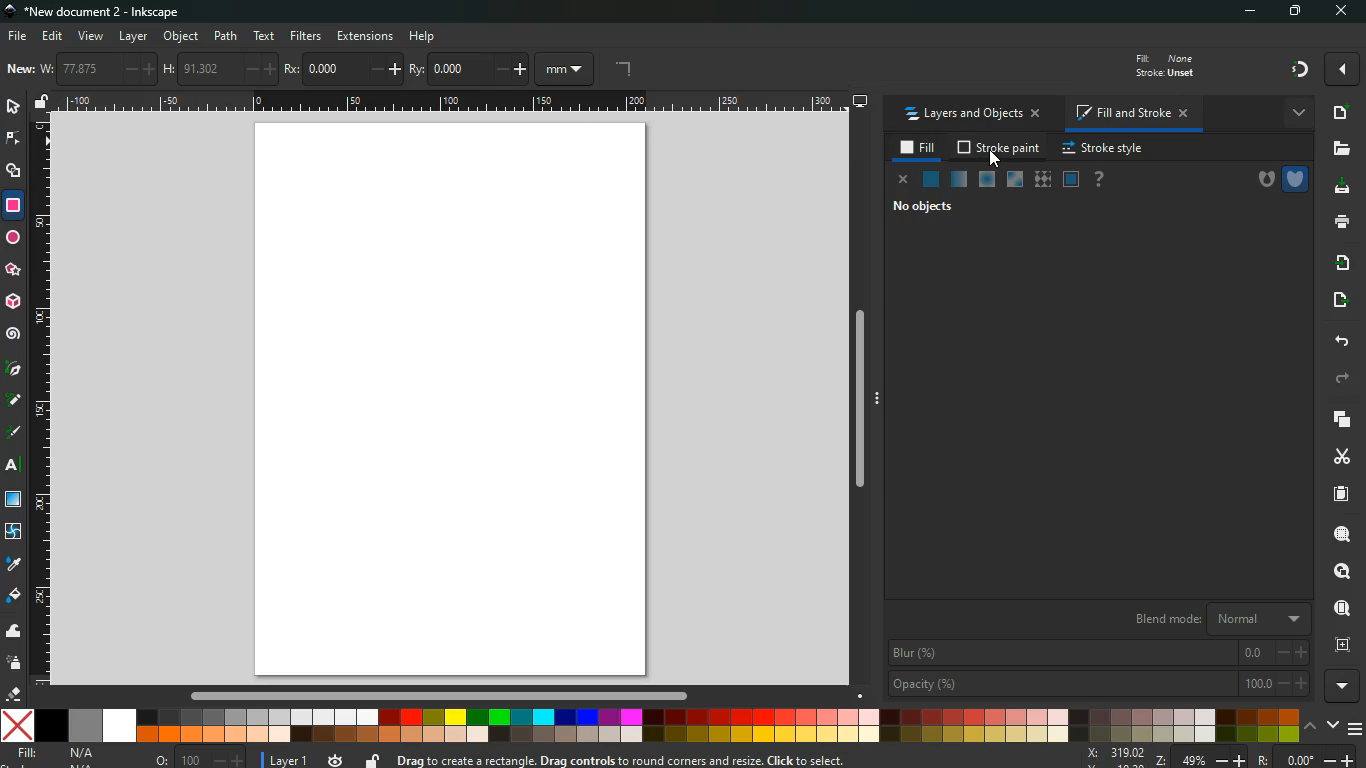  What do you see at coordinates (448, 104) in the screenshot?
I see `horizontal ruler` at bounding box center [448, 104].